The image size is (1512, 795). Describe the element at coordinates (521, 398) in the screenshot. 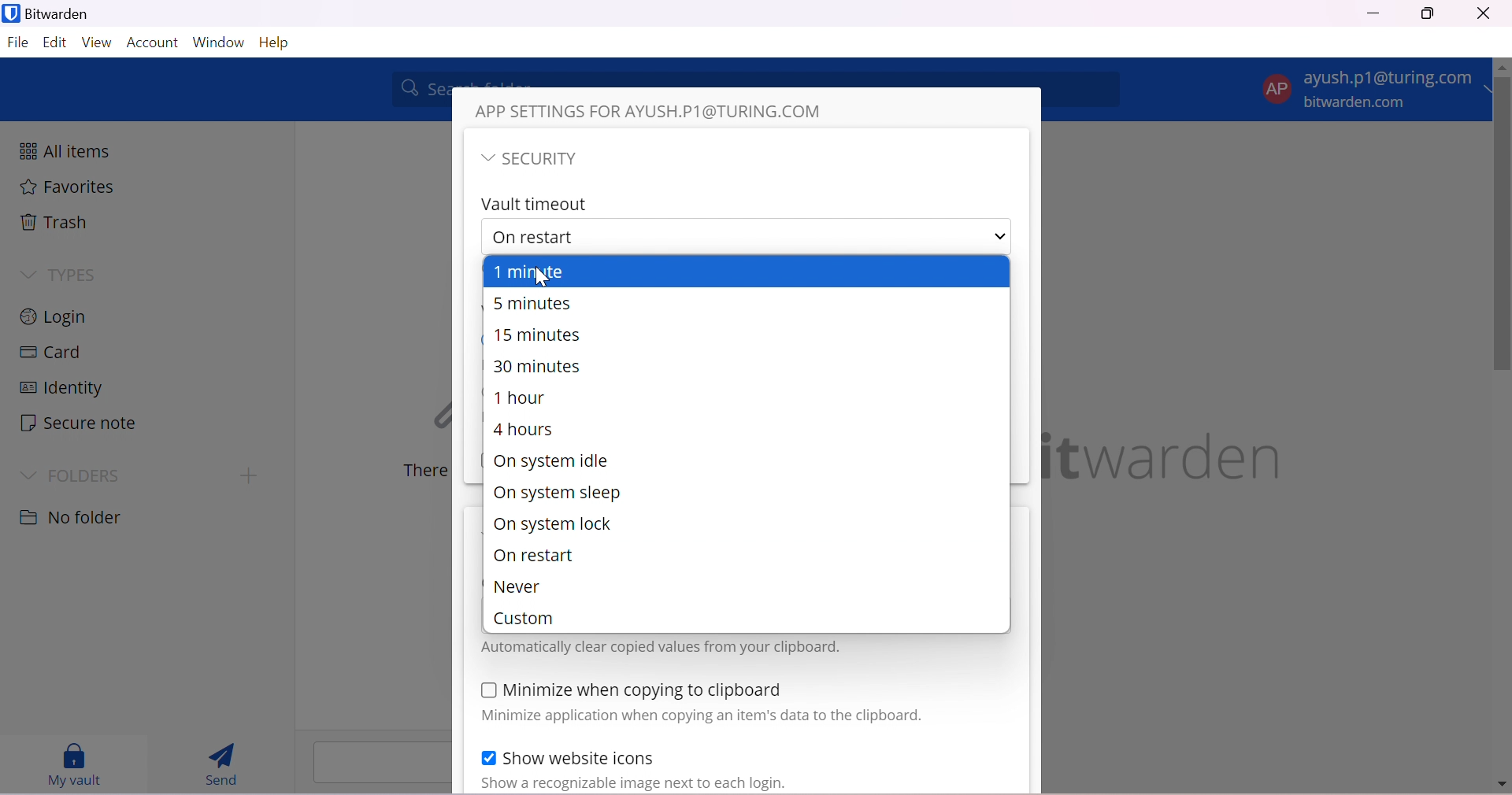

I see `1 hour` at that location.